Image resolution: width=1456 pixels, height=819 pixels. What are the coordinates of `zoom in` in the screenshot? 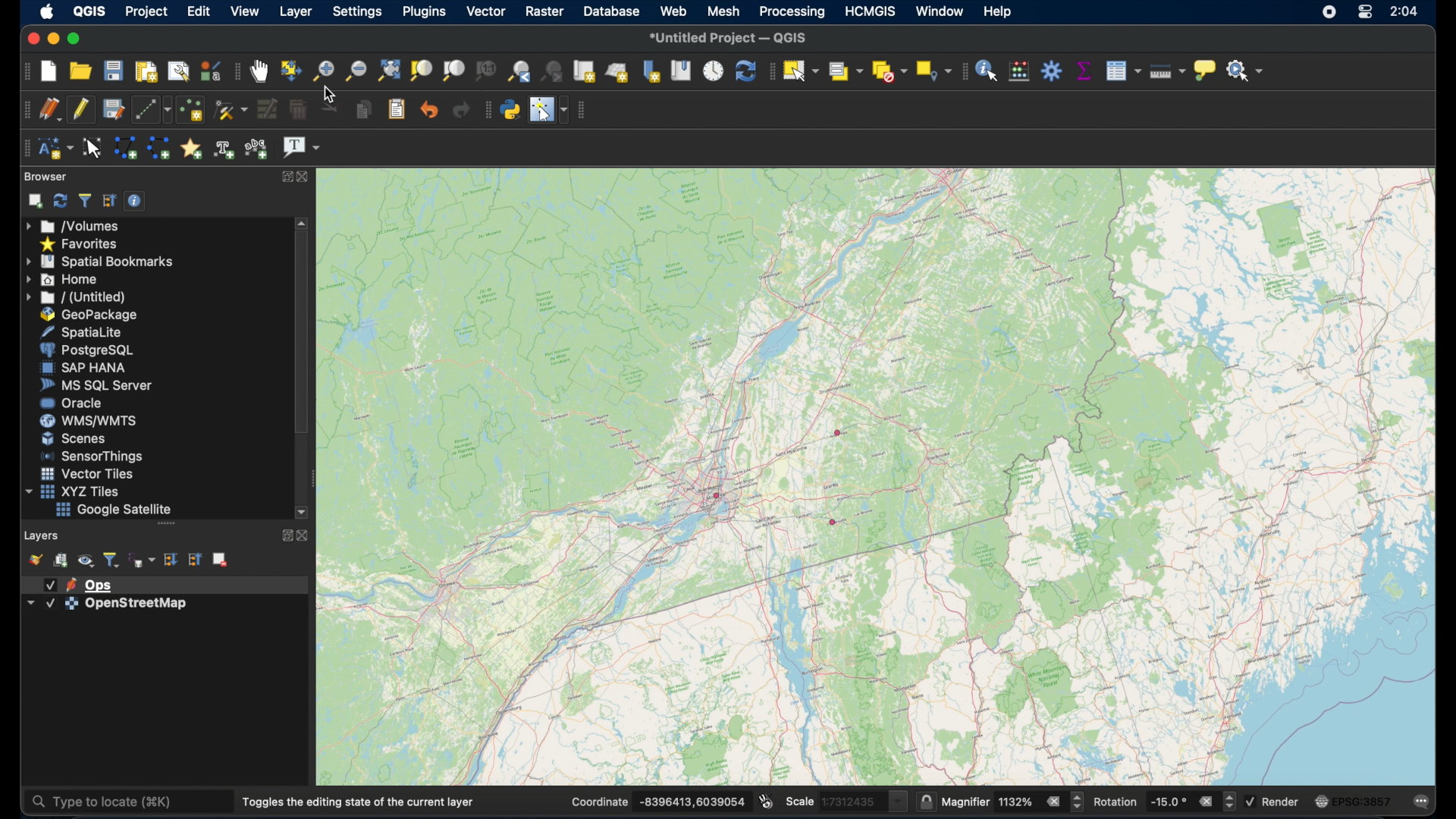 It's located at (322, 71).